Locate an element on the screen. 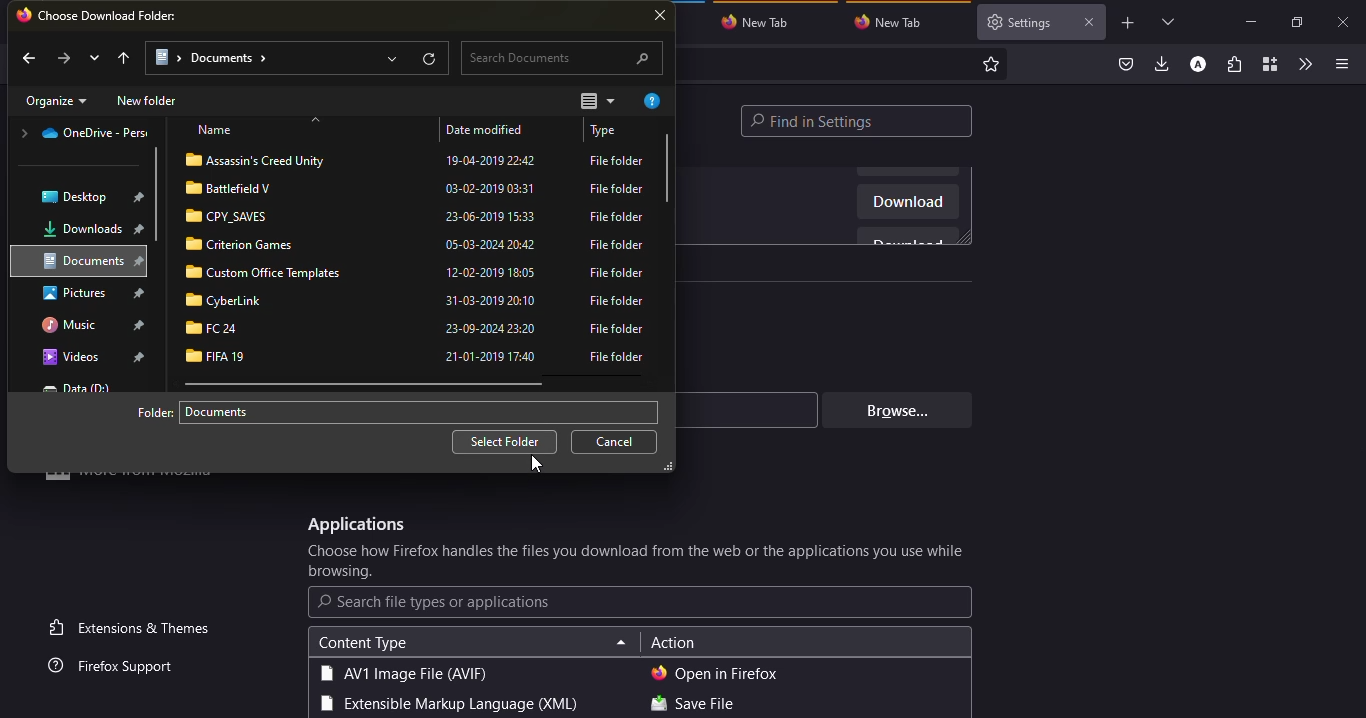 The height and width of the screenshot is (718, 1366). location is located at coordinates (76, 357).